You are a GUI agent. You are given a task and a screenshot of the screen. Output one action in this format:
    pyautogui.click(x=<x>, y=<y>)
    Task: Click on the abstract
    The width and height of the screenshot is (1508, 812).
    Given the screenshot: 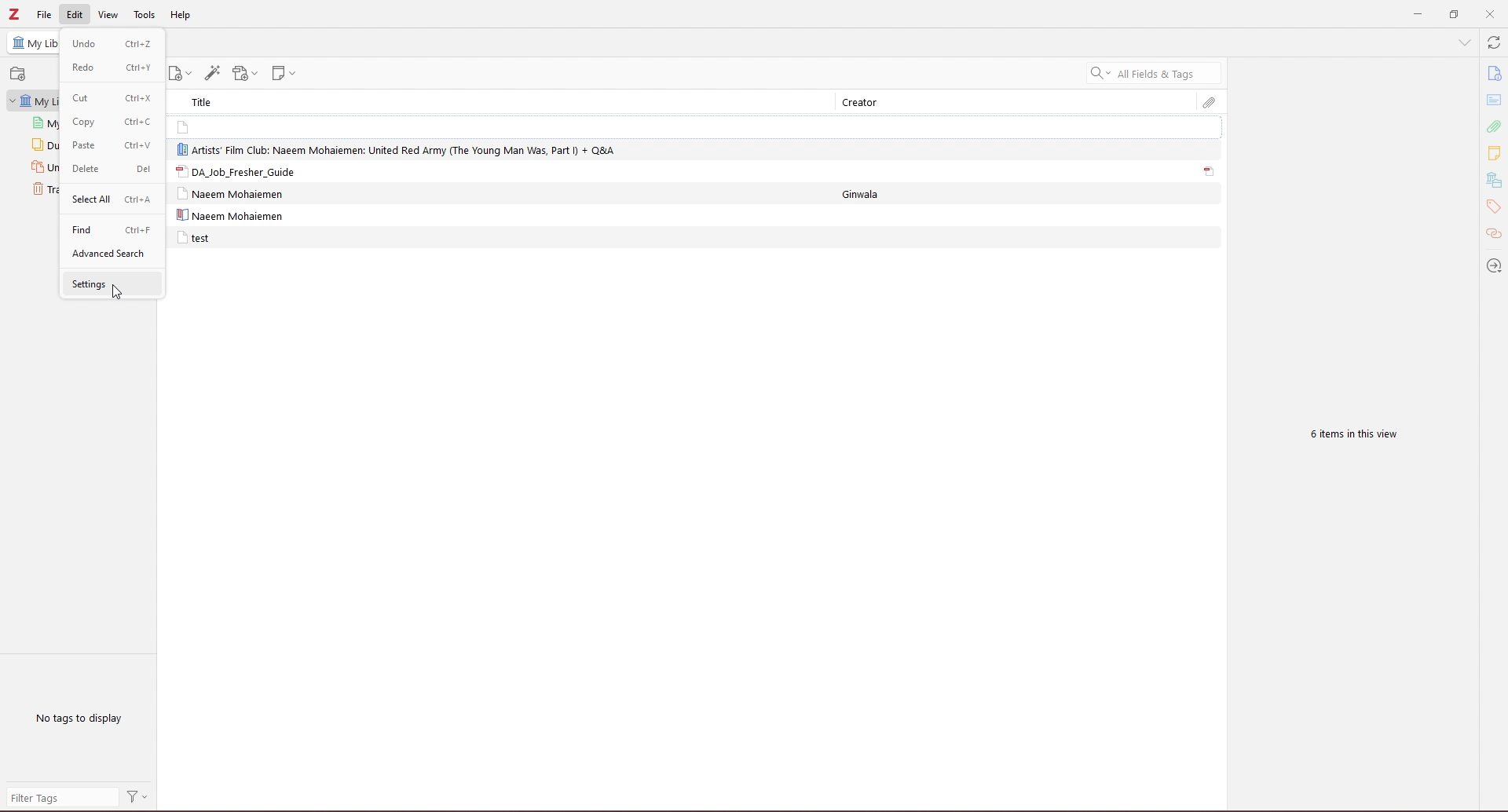 What is the action you would take?
    pyautogui.click(x=1495, y=101)
    